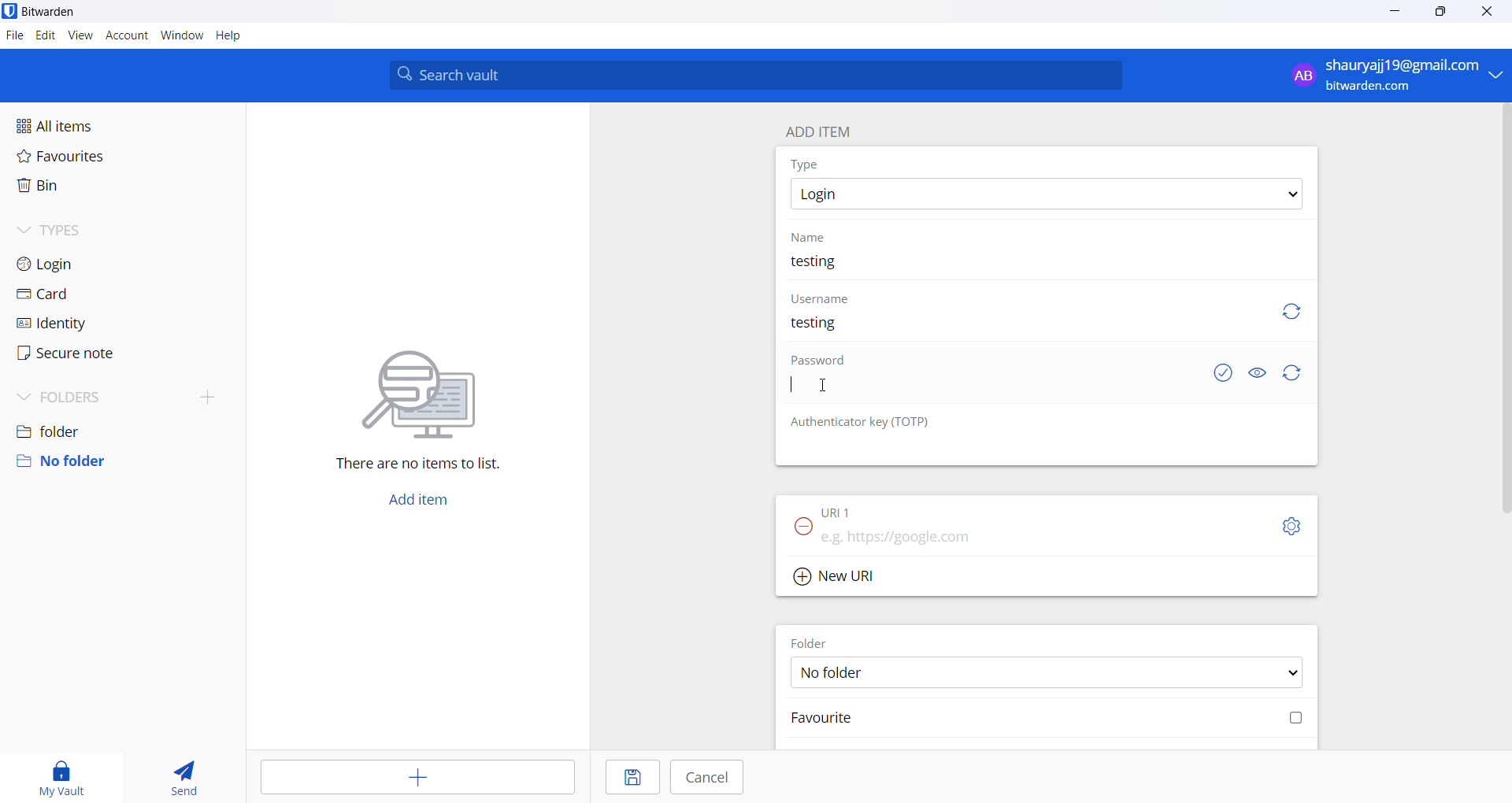 Image resolution: width=1512 pixels, height=803 pixels. What do you see at coordinates (1014, 327) in the screenshot?
I see `username input box. user name added "testing"` at bounding box center [1014, 327].